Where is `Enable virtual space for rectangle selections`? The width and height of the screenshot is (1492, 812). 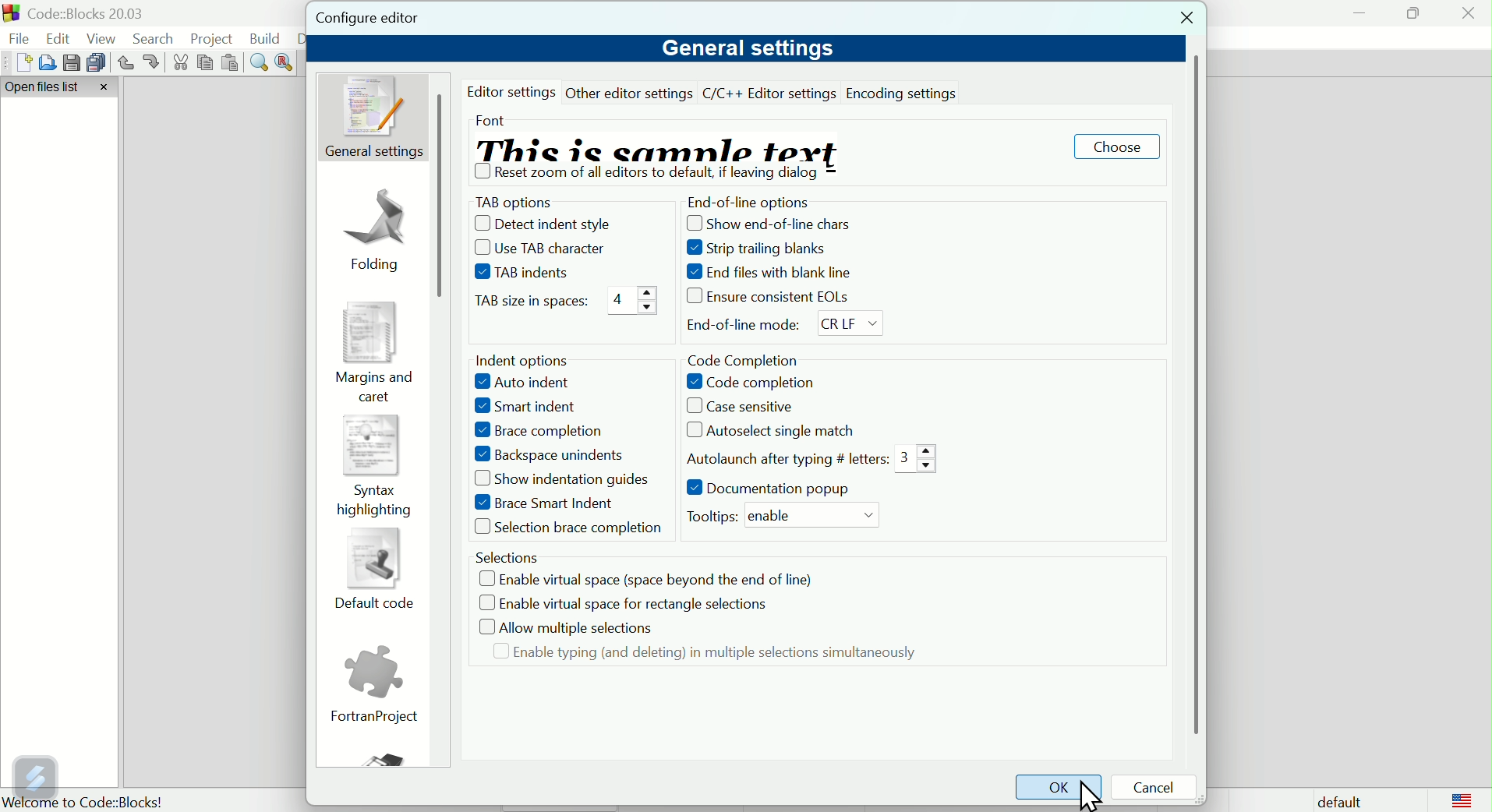 Enable virtual space for rectangle selections is located at coordinates (619, 602).